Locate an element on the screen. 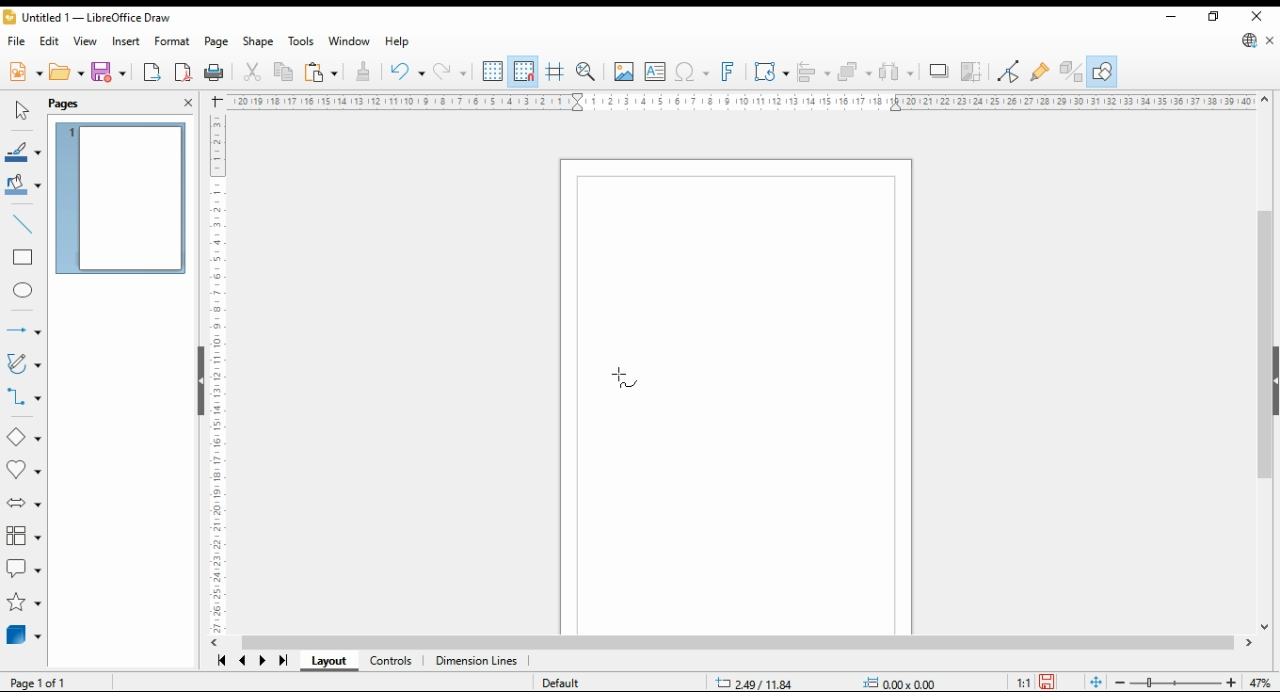 This screenshot has height=692, width=1280. page 1 is located at coordinates (122, 198).